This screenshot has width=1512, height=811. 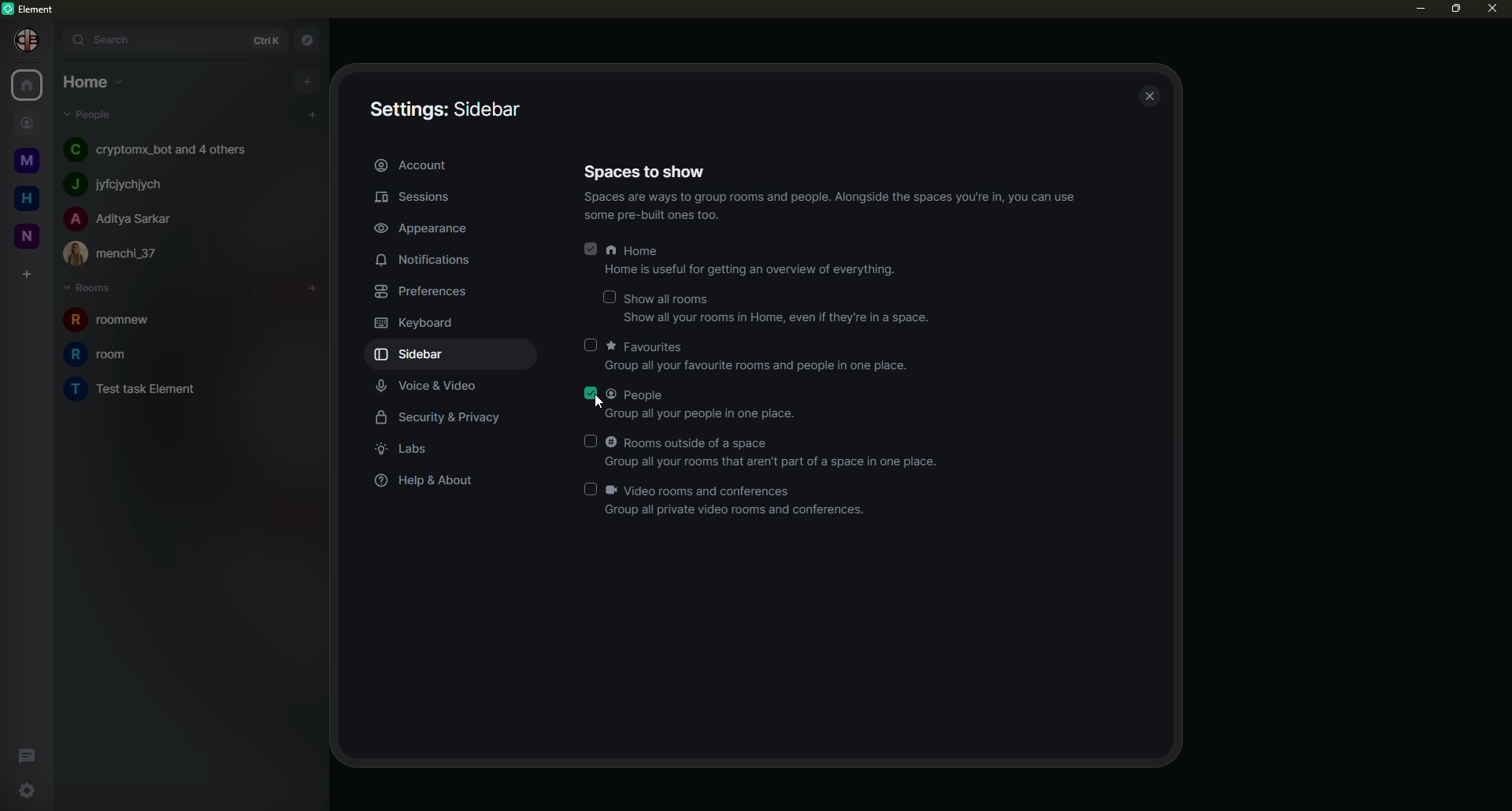 I want to click on home, so click(x=30, y=85).